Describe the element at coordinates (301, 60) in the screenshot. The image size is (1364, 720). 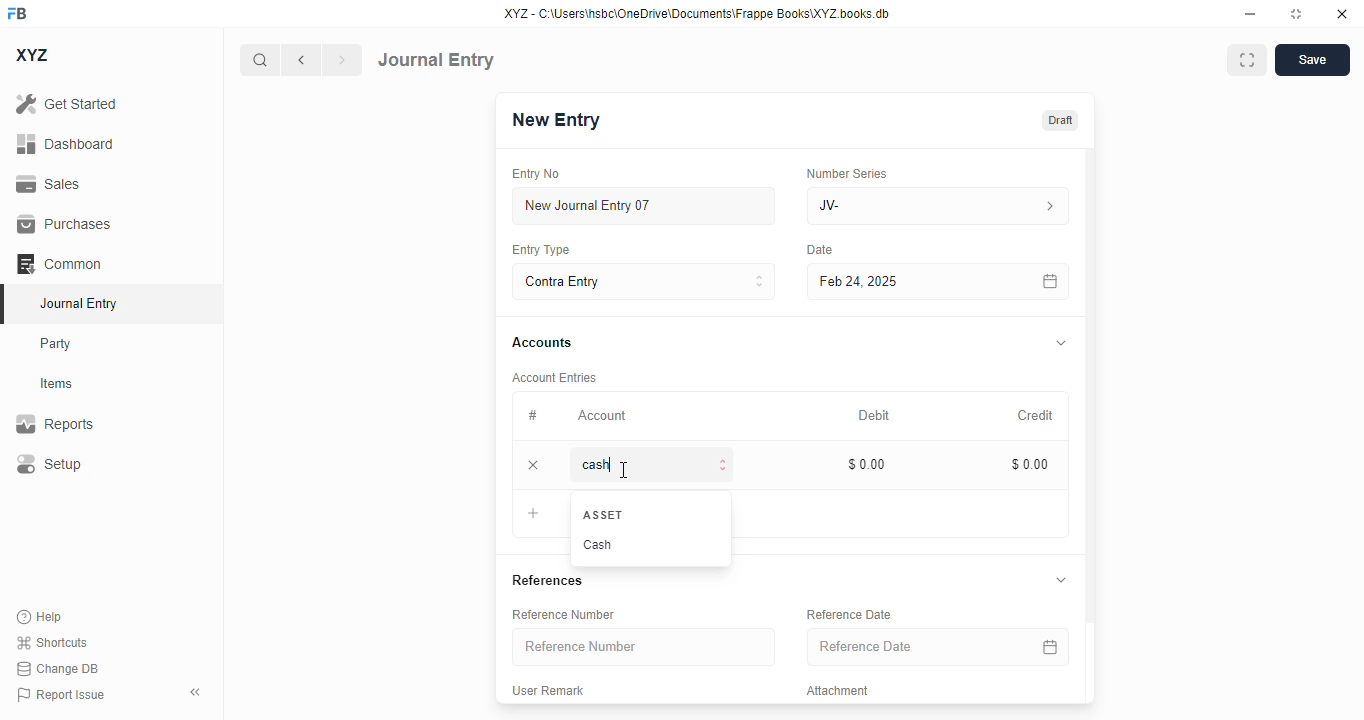
I see `previous` at that location.